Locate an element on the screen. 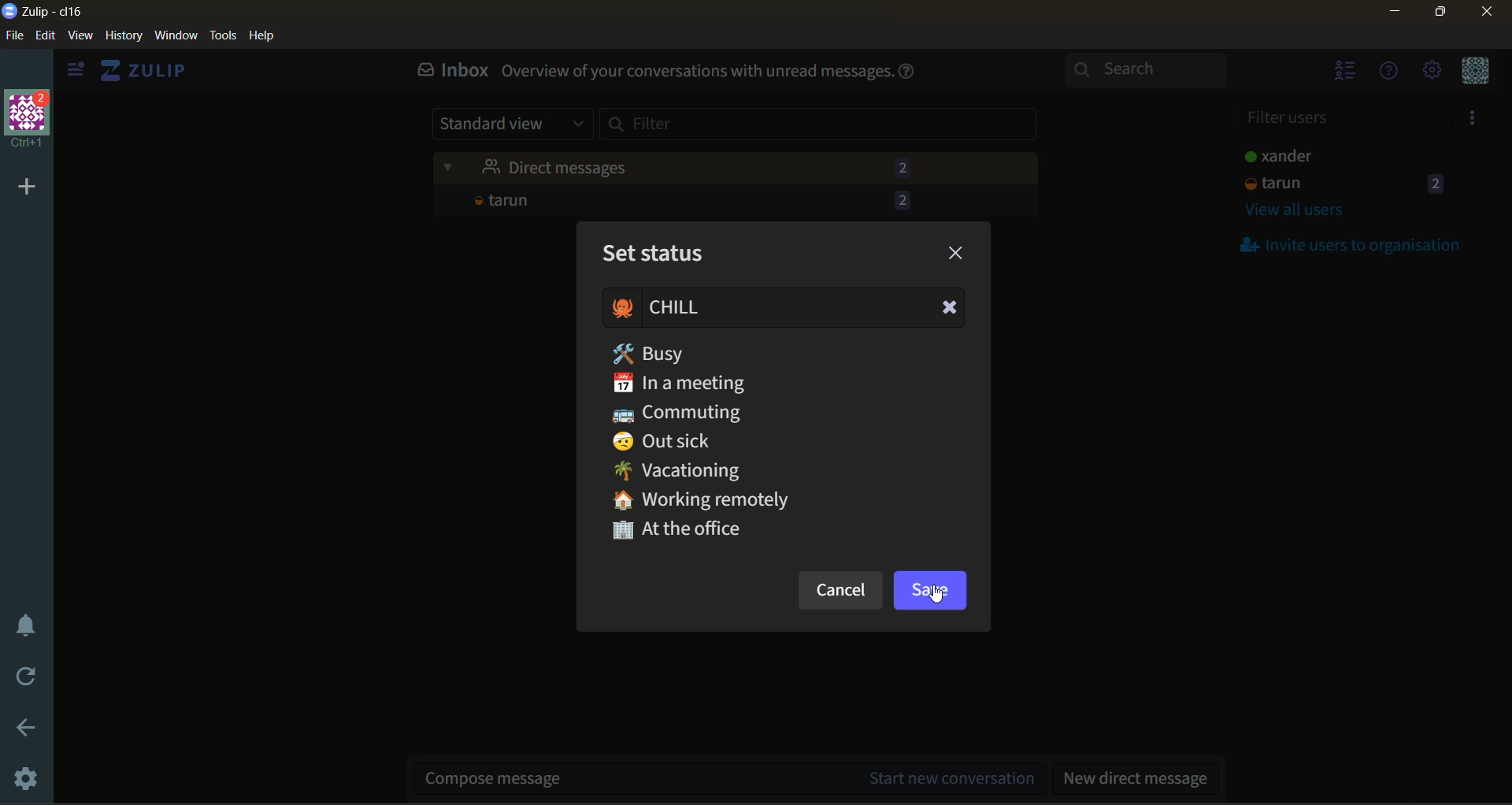 The width and height of the screenshot is (1512, 805). minimize is located at coordinates (1397, 13).